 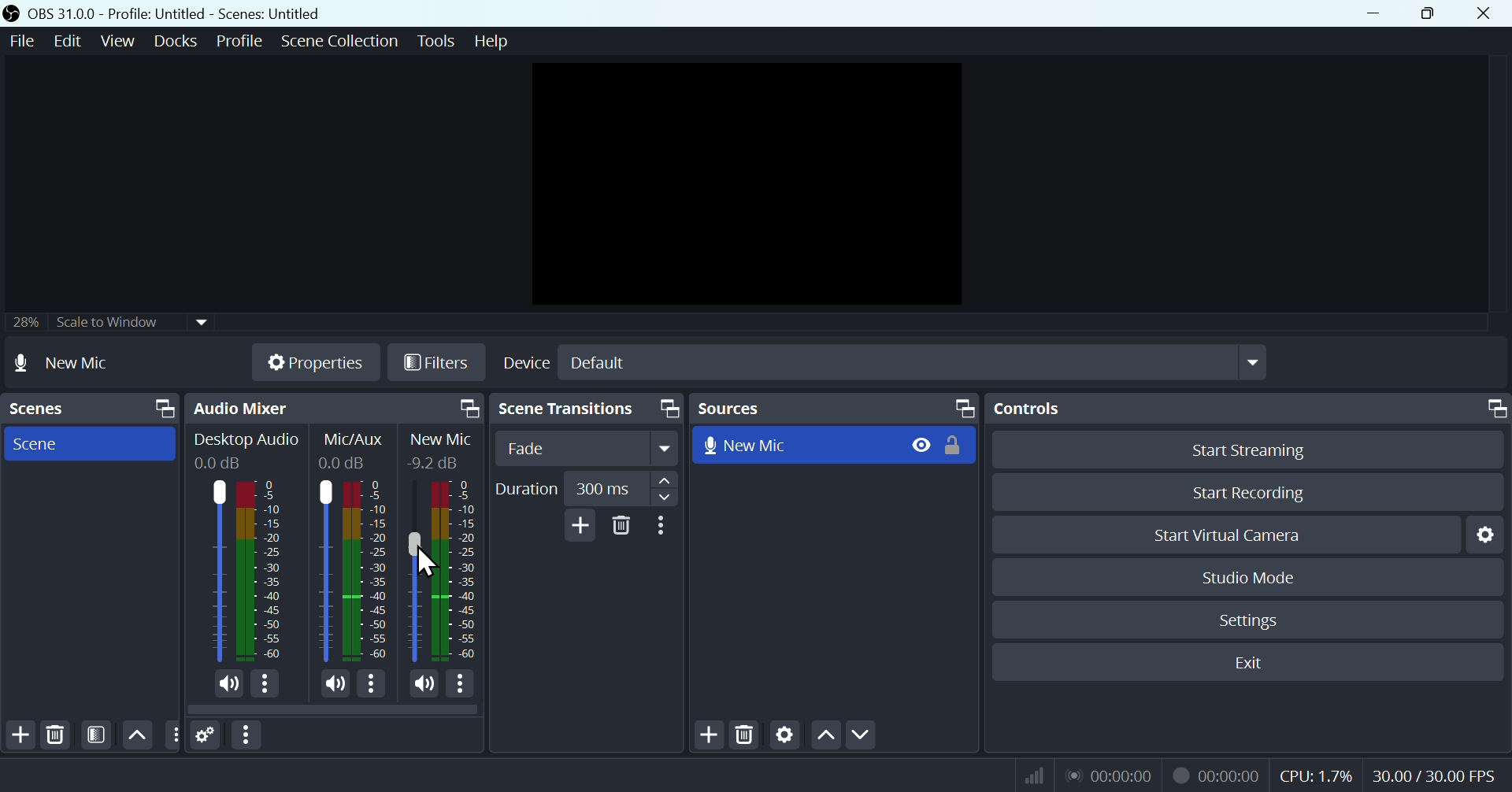 What do you see at coordinates (584, 410) in the screenshot?
I see `Scene transitions` at bounding box center [584, 410].